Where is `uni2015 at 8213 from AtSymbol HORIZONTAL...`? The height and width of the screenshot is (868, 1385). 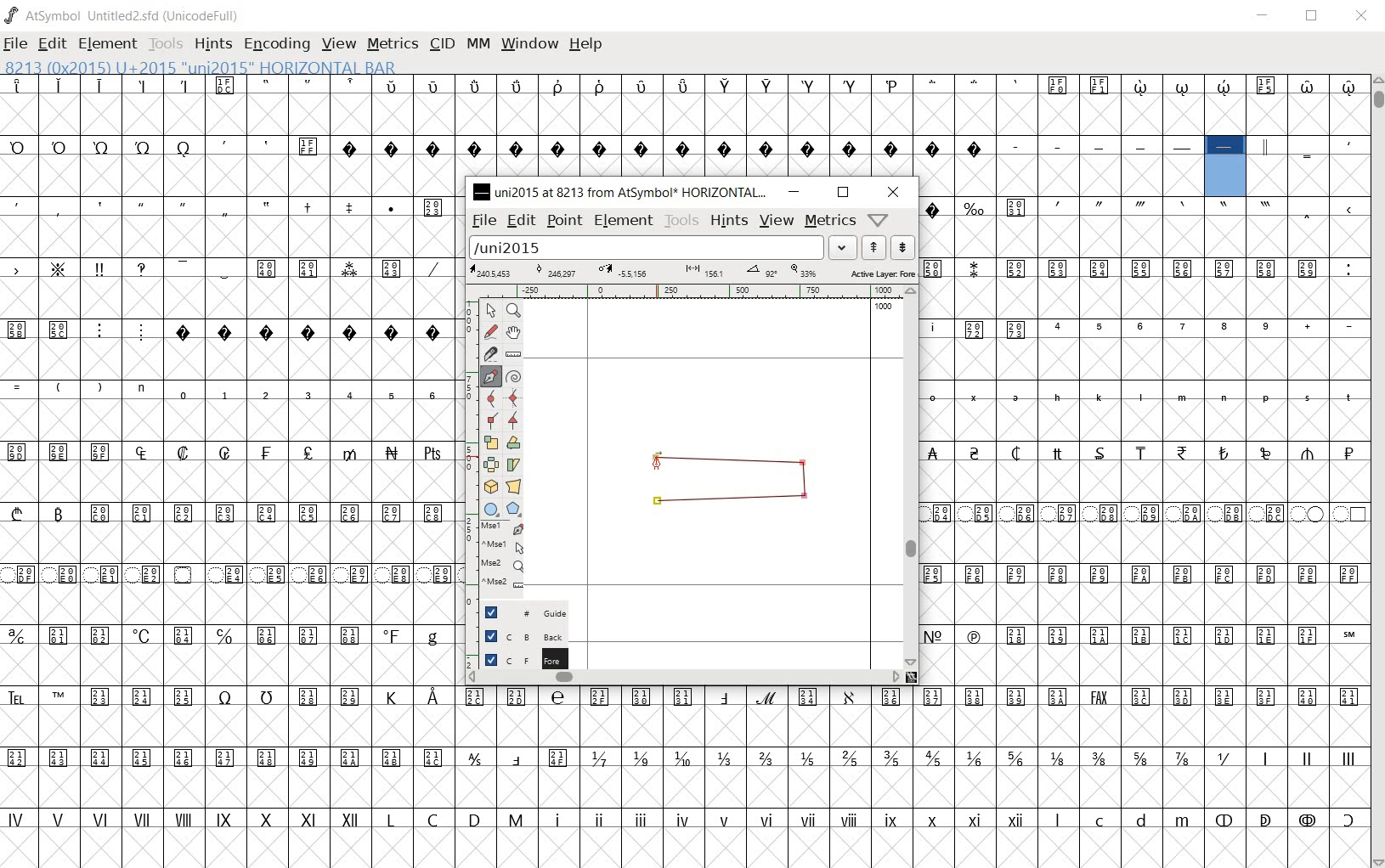
uni2015 at 8213 from AtSymbol HORIZONTAL... is located at coordinates (620, 192).